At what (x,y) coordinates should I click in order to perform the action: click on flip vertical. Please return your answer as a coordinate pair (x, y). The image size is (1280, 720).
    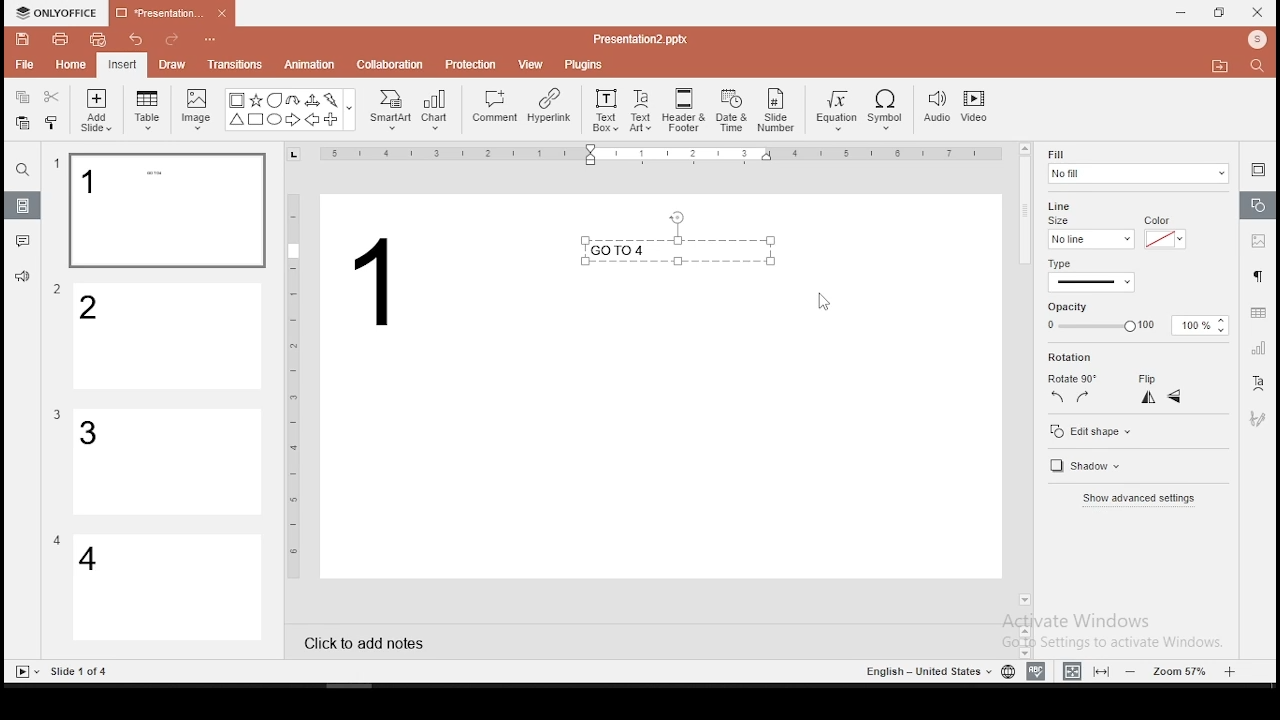
    Looking at the image, I should click on (1176, 399).